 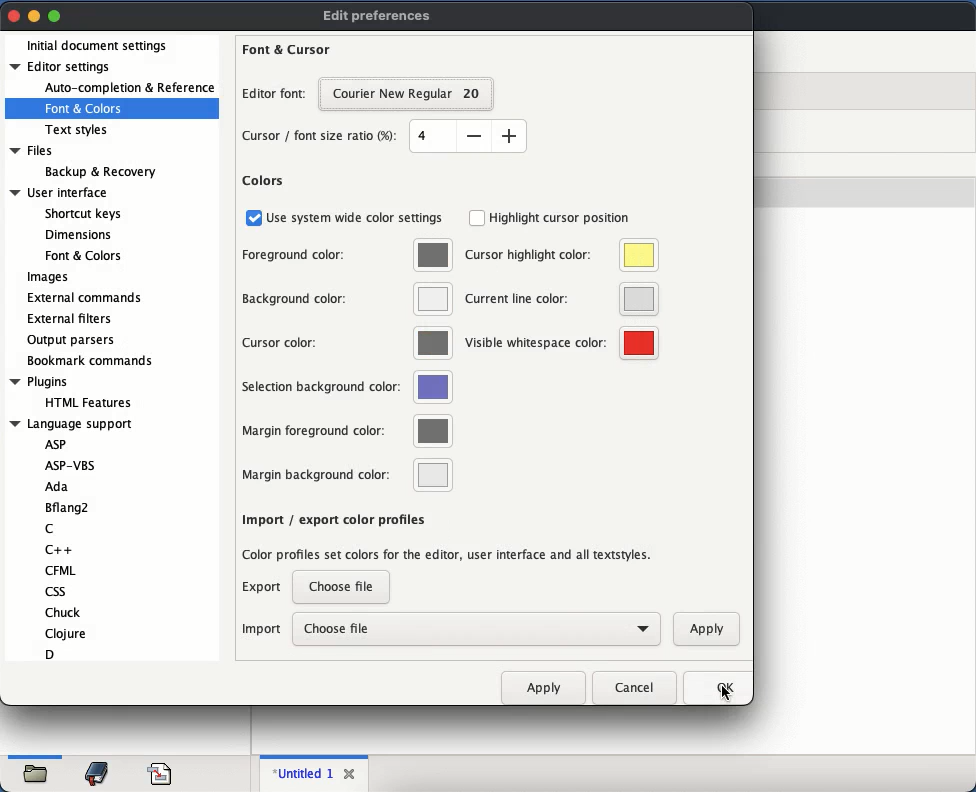 I want to click on bookmark, so click(x=99, y=772).